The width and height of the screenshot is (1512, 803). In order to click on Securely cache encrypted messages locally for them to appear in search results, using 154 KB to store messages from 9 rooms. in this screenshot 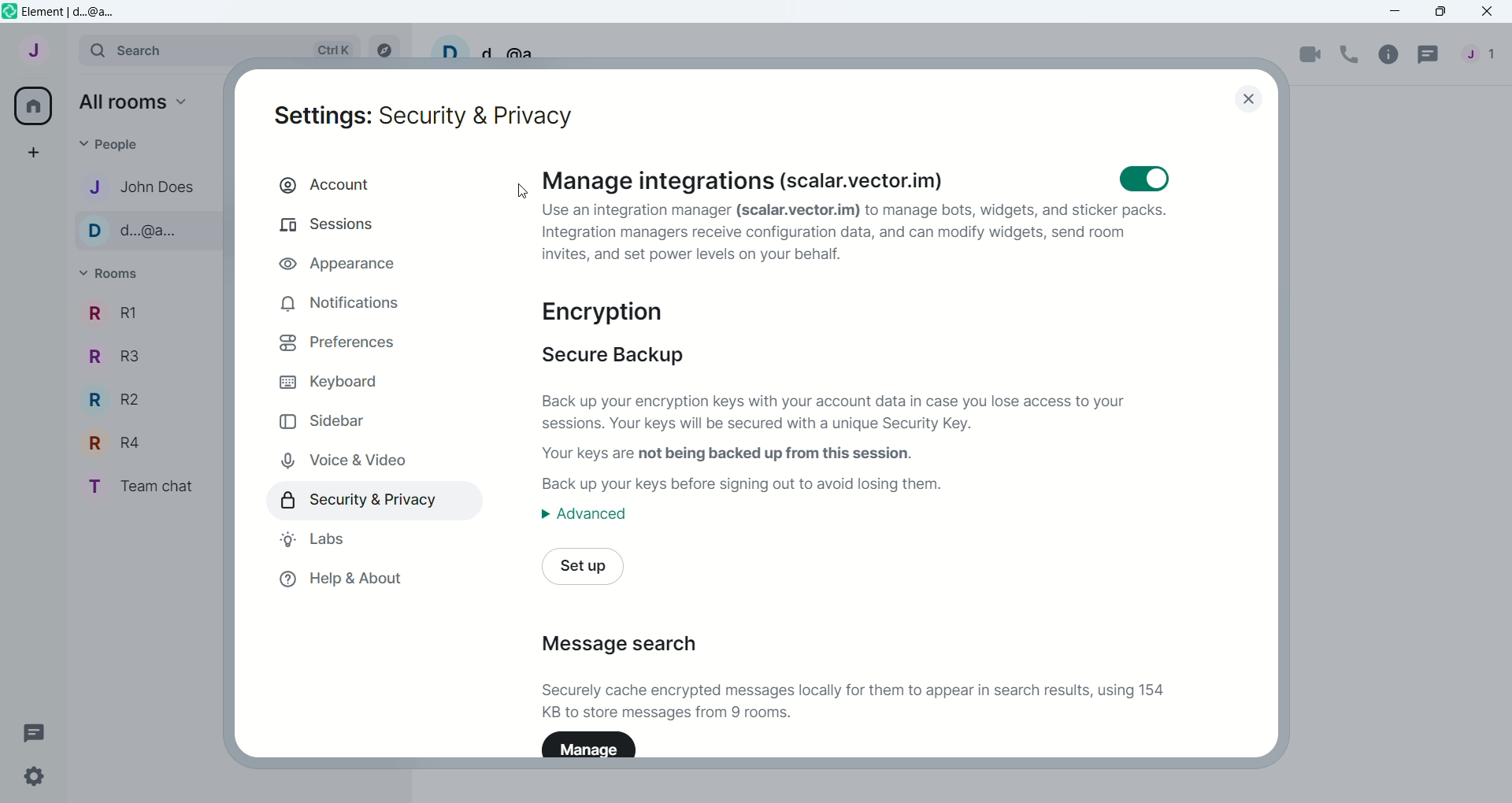, I will do `click(859, 701)`.